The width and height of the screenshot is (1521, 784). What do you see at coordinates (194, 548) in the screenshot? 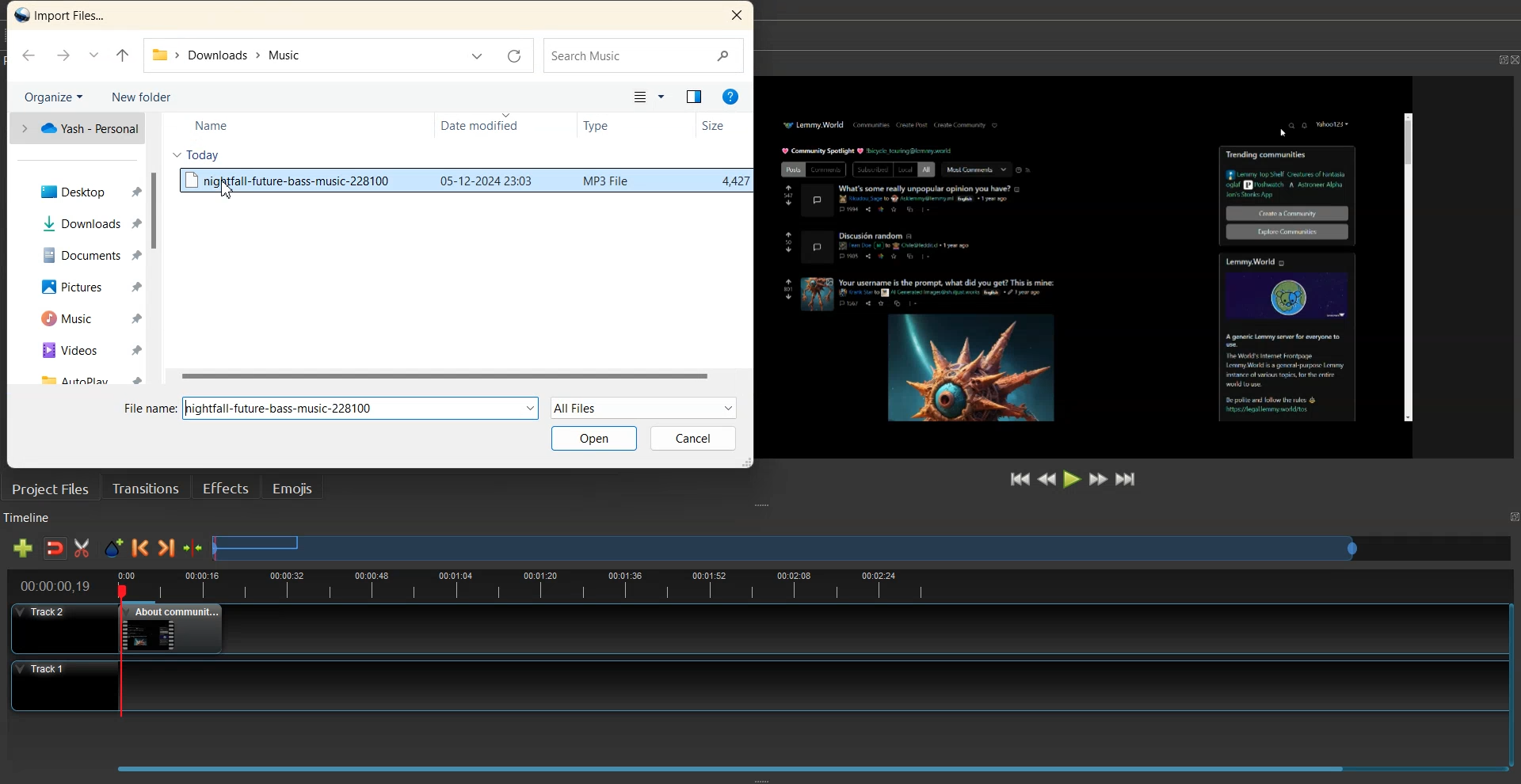
I see `Center the timeline on the playhead` at bounding box center [194, 548].